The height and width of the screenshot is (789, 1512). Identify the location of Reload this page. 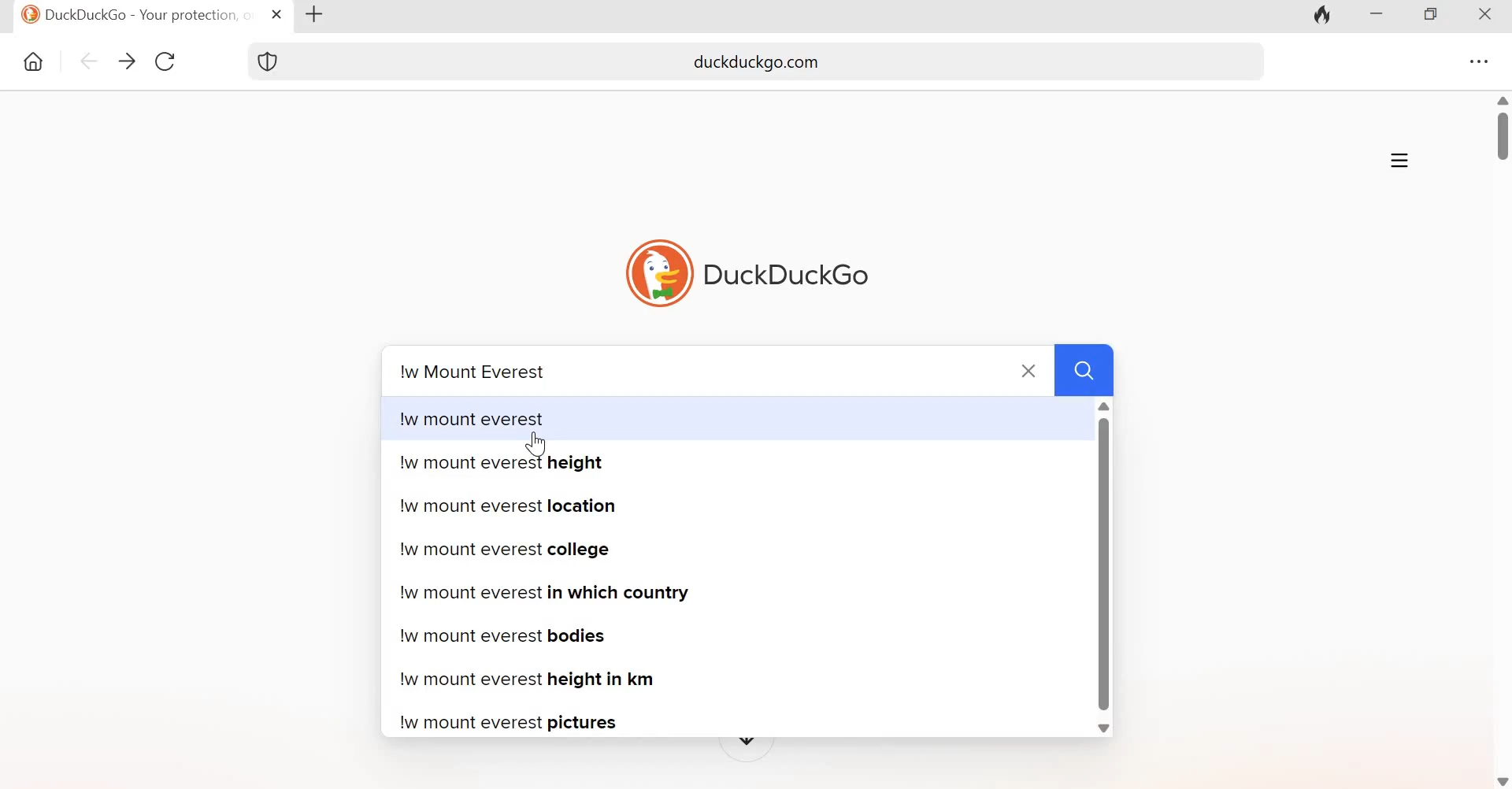
(166, 63).